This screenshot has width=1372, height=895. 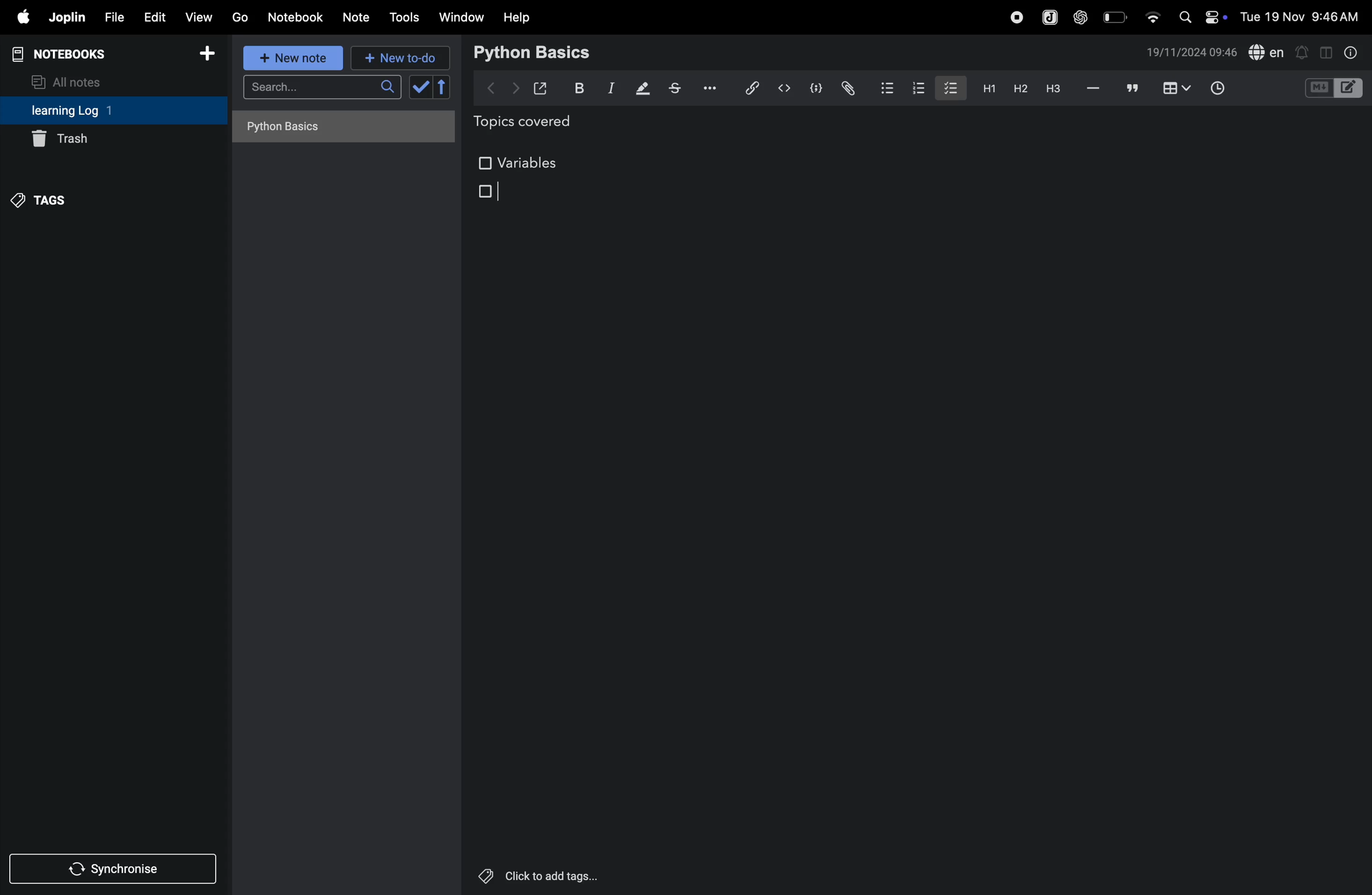 What do you see at coordinates (492, 87) in the screenshot?
I see `backward` at bounding box center [492, 87].